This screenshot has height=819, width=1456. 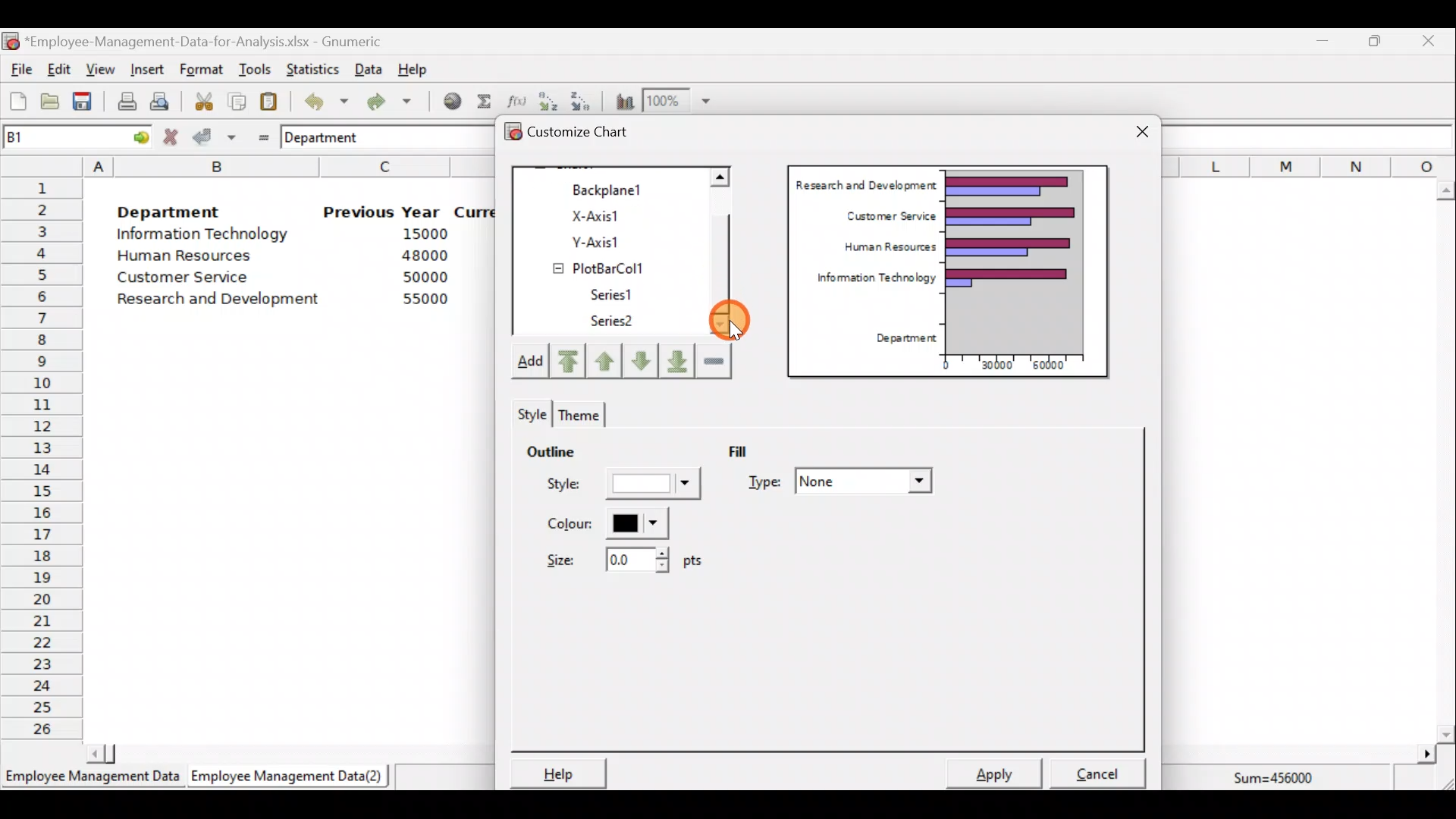 What do you see at coordinates (1025, 261) in the screenshot?
I see `Chart preview` at bounding box center [1025, 261].